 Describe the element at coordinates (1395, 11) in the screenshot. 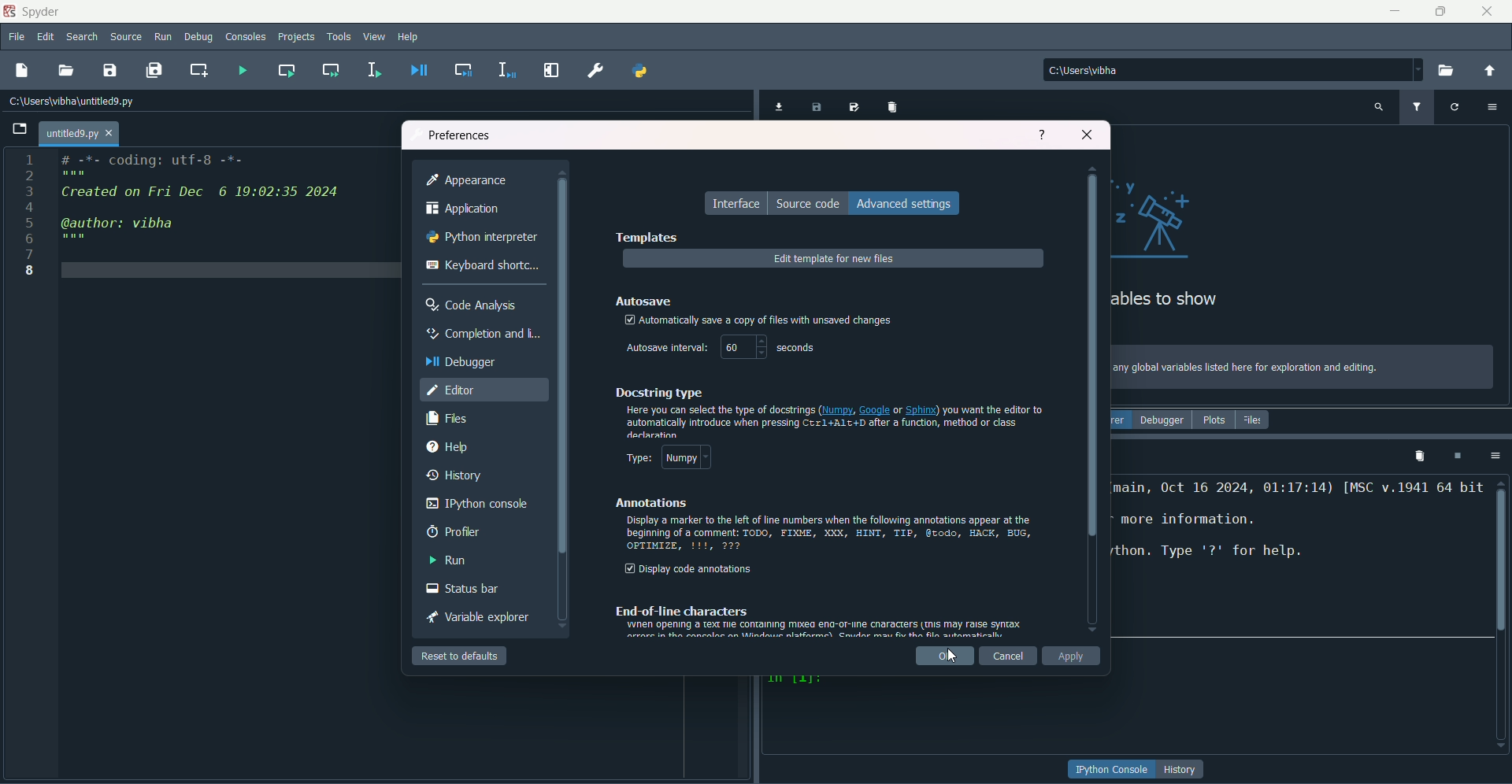

I see `minimize` at that location.